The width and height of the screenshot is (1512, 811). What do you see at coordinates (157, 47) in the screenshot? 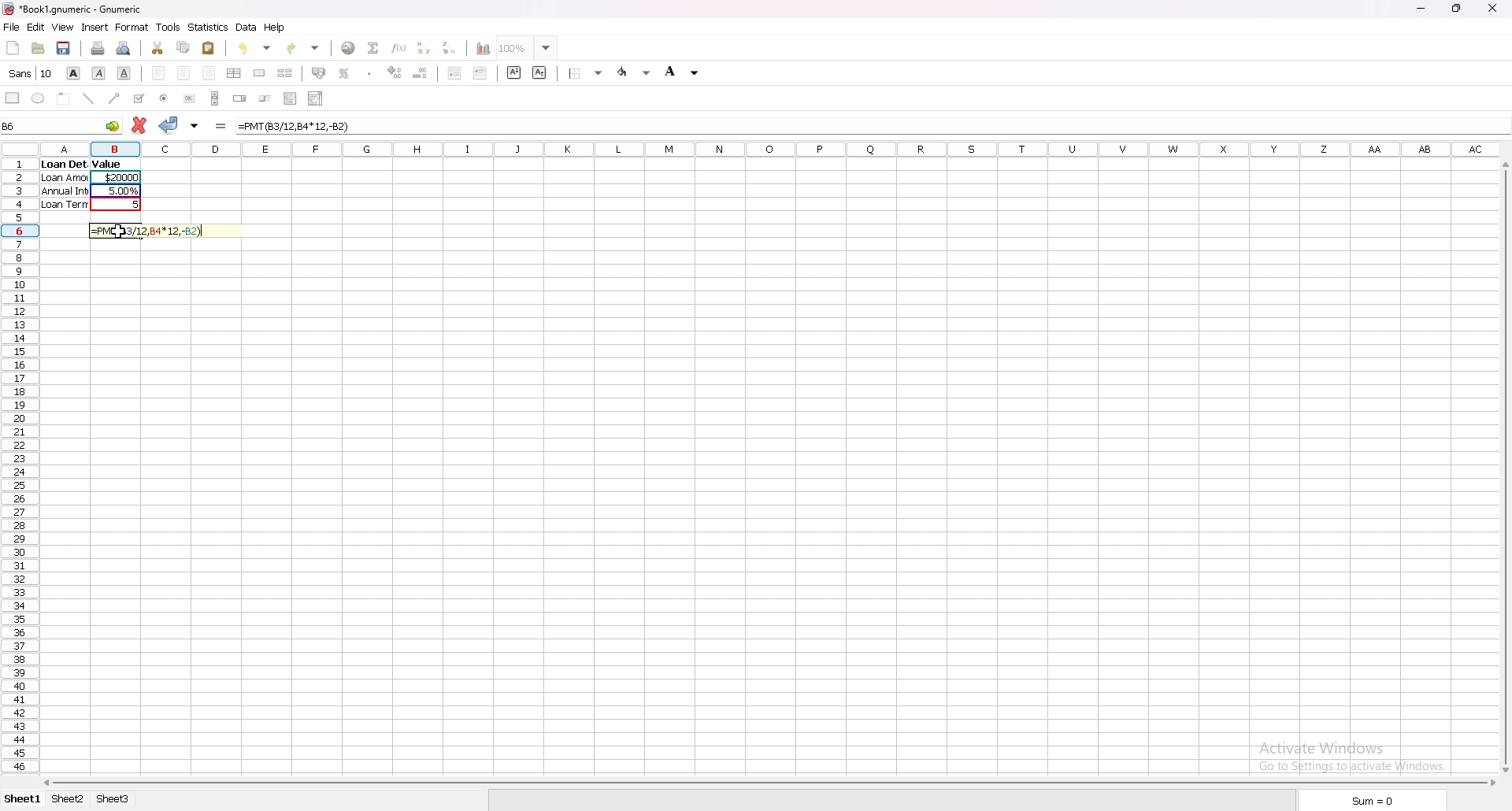
I see `cut` at bounding box center [157, 47].